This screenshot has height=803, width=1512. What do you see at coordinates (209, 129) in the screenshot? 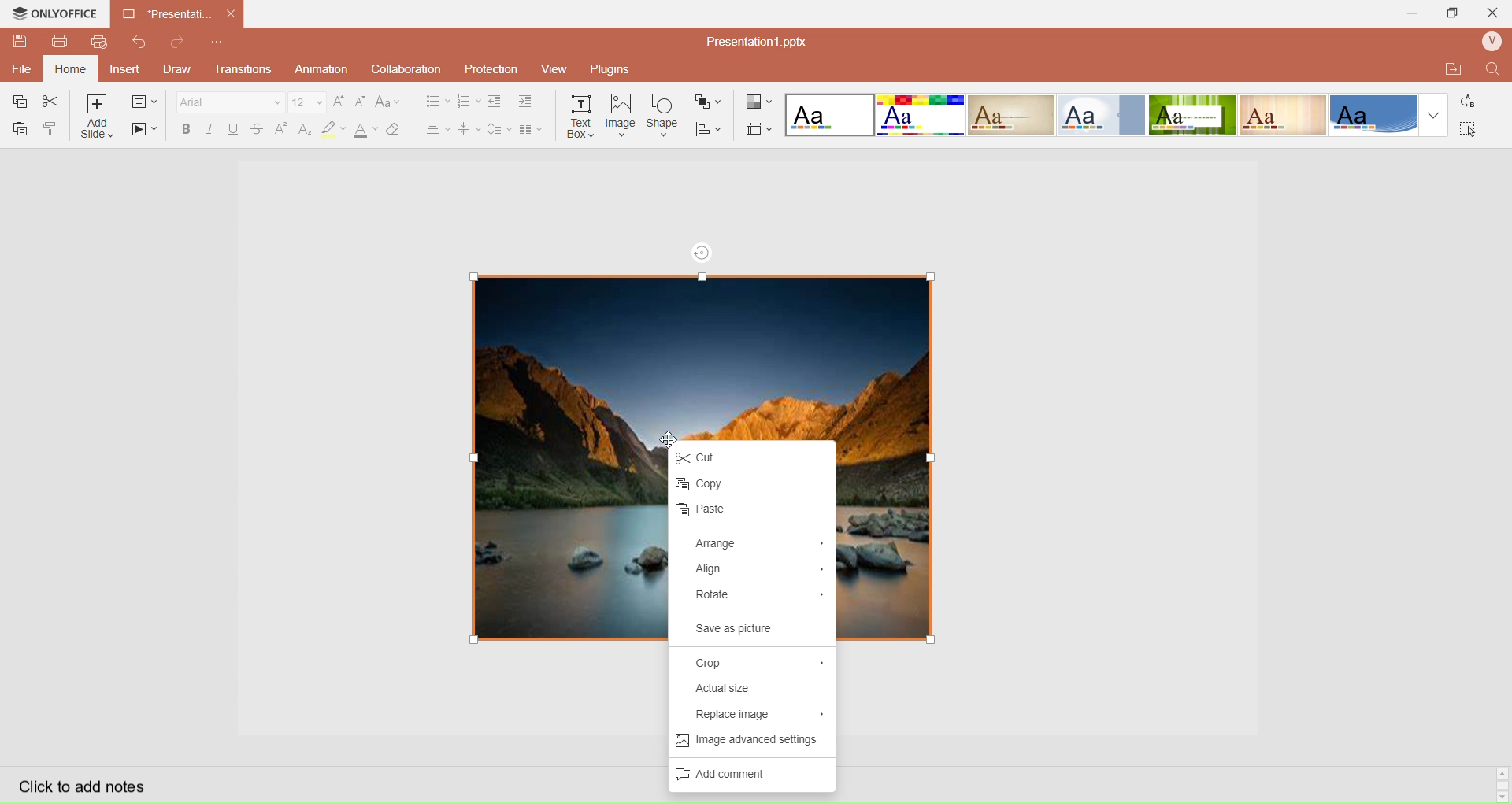
I see `Italec` at bounding box center [209, 129].